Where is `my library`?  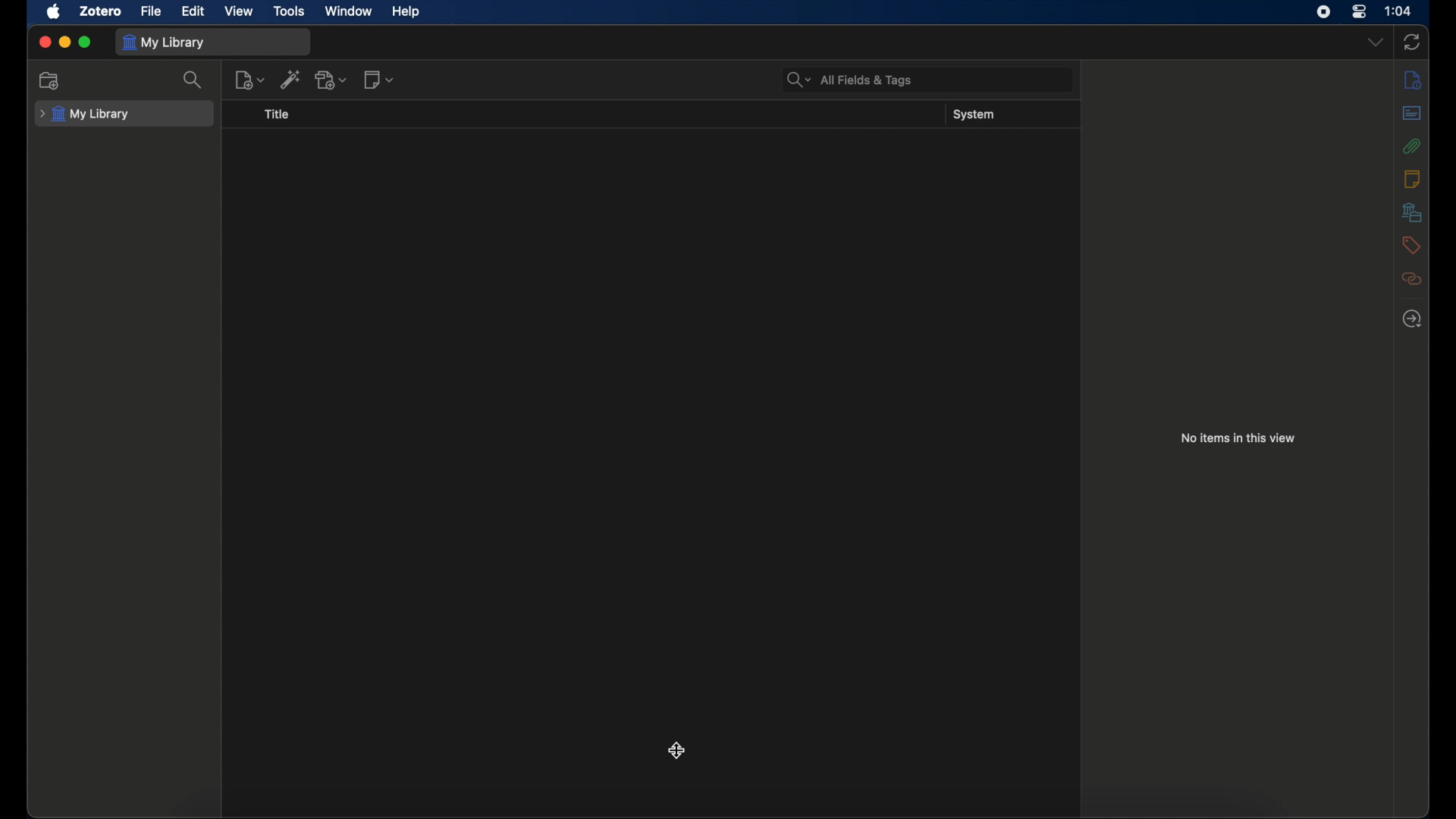 my library is located at coordinates (165, 42).